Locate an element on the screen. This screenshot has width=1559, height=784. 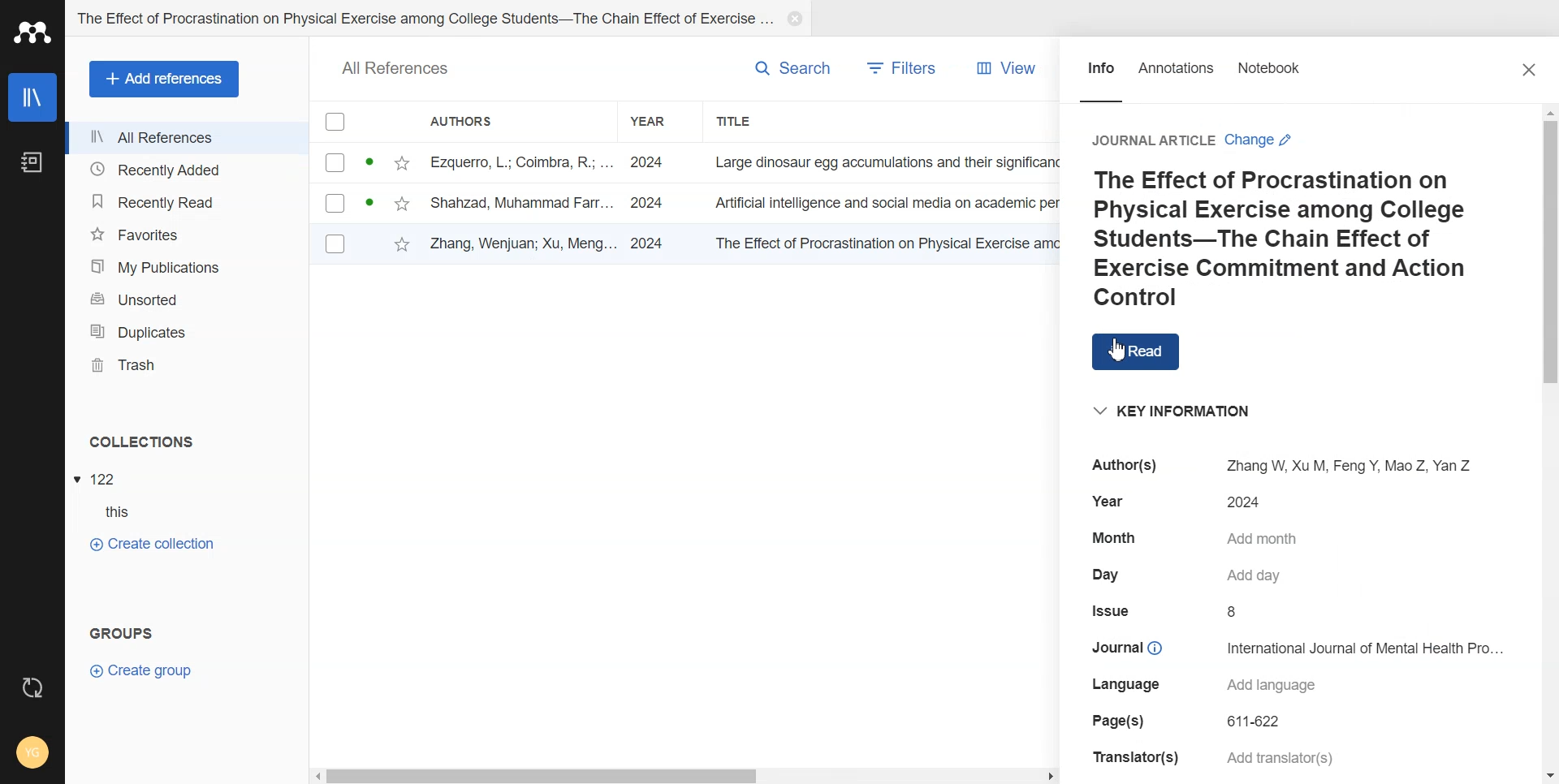
2024 is located at coordinates (646, 160).